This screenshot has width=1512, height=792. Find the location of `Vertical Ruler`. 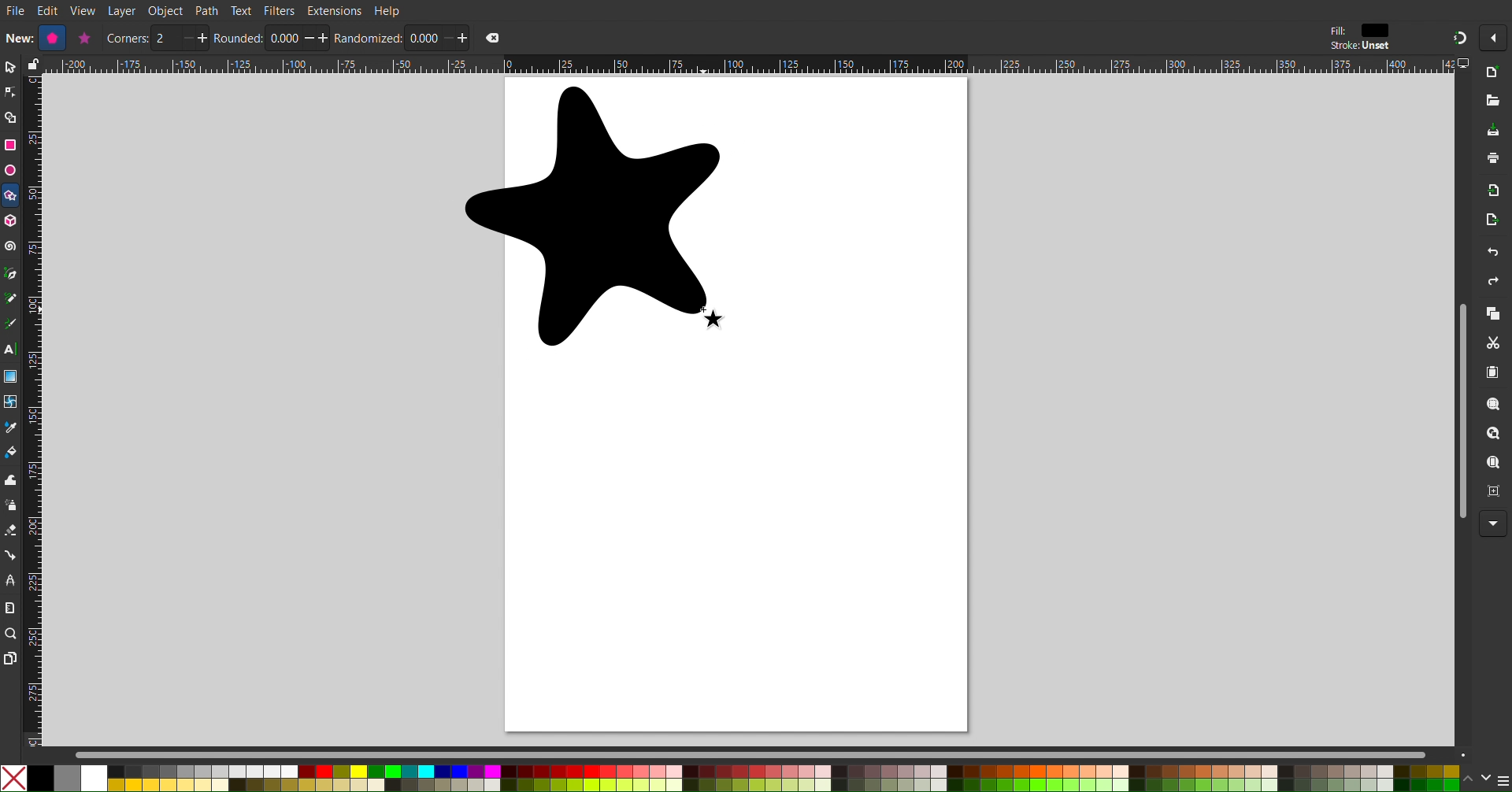

Vertical Ruler is located at coordinates (32, 410).